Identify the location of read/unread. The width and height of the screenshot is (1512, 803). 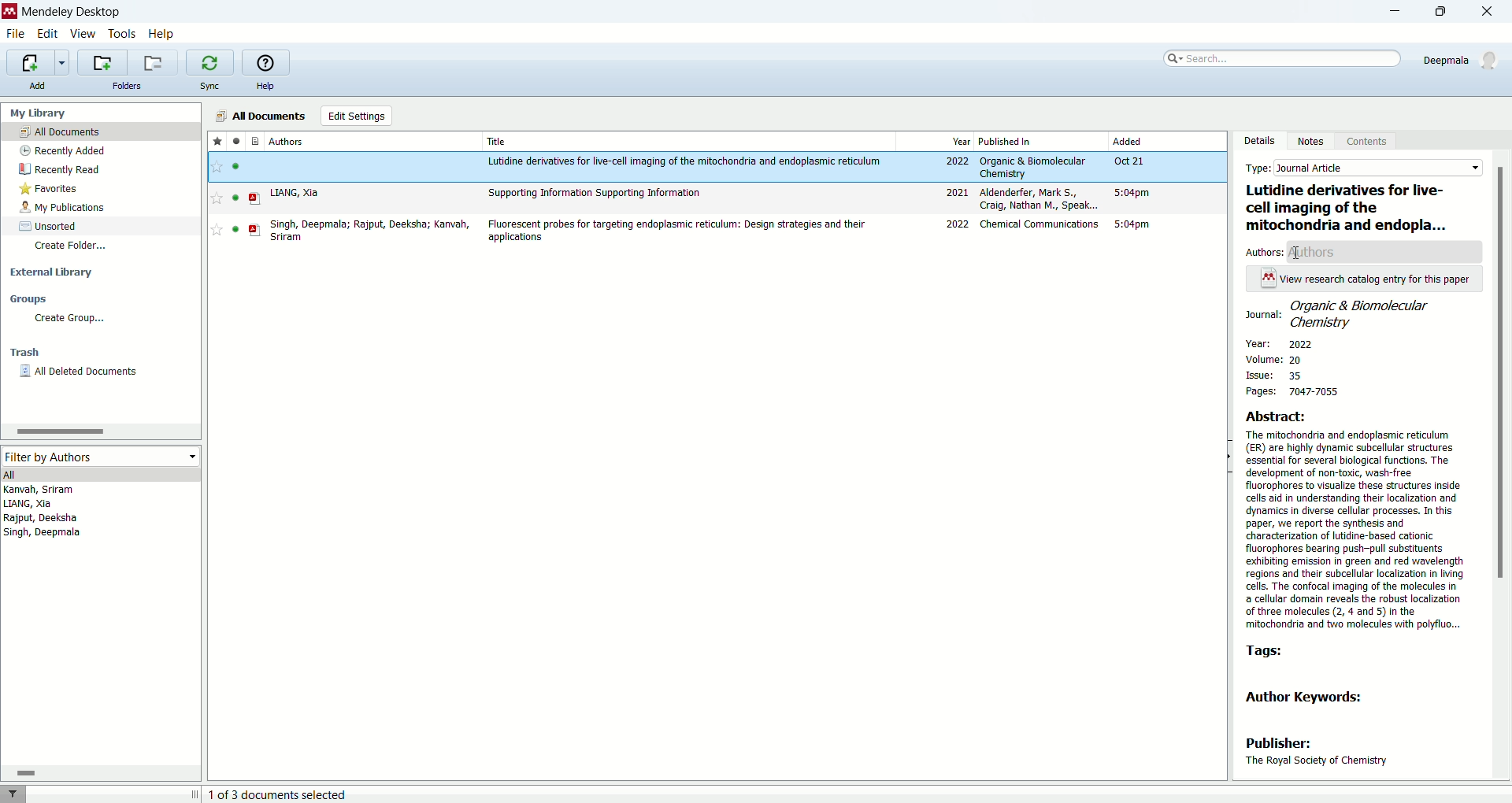
(236, 142).